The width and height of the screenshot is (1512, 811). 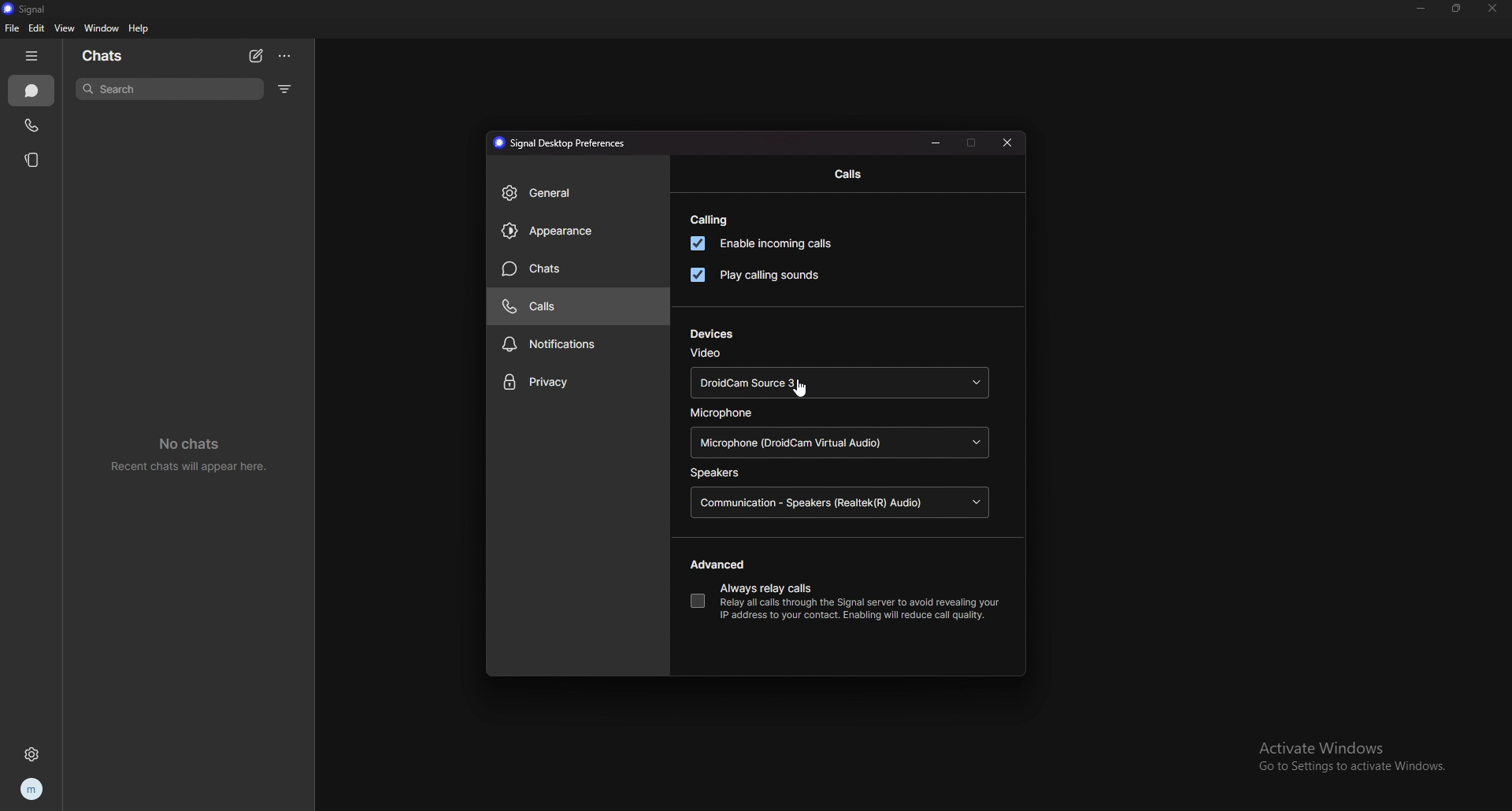 I want to click on general, so click(x=579, y=194).